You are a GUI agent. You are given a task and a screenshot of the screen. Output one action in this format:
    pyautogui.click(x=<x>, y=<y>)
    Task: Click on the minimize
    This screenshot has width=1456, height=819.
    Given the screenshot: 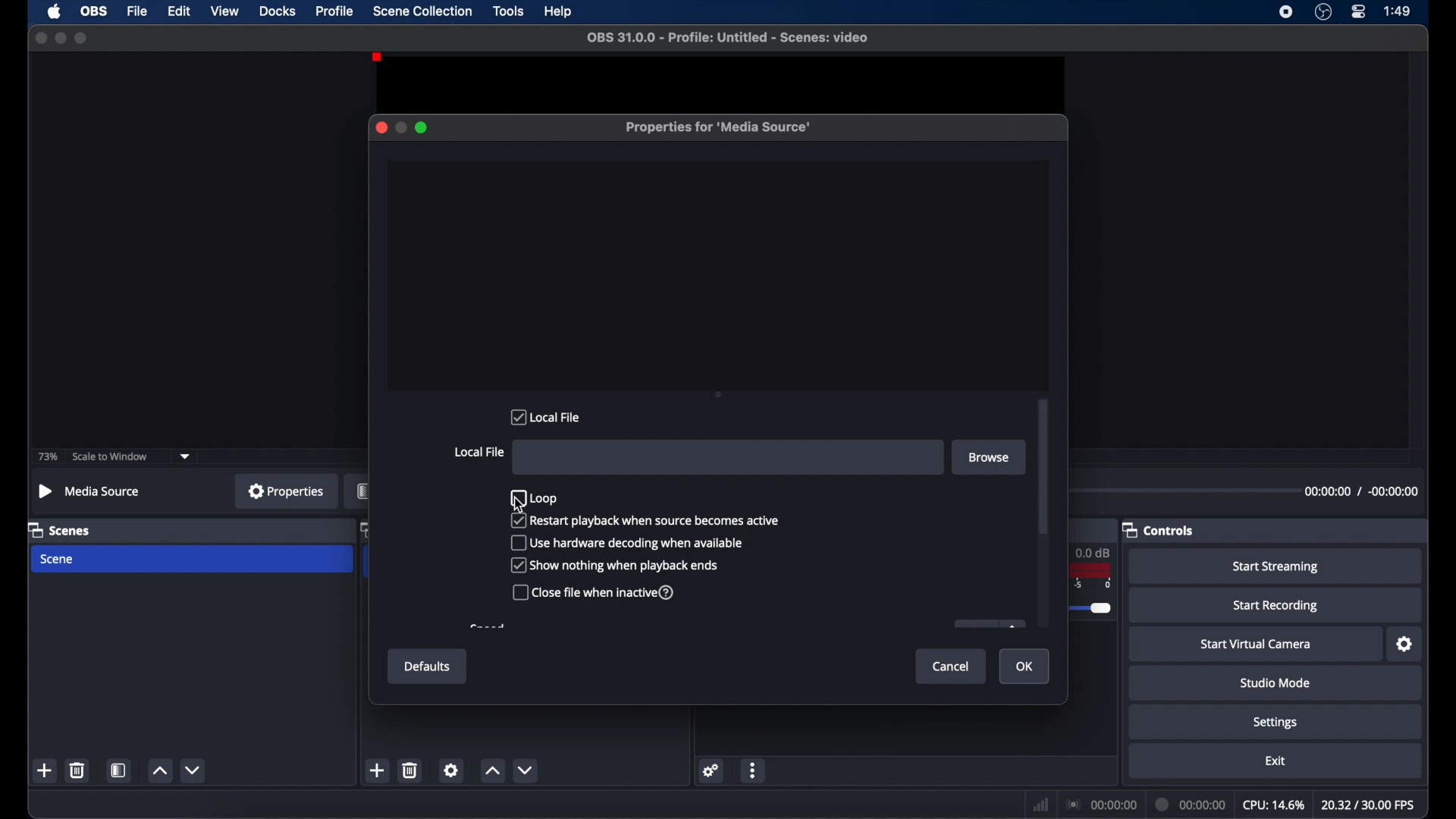 What is the action you would take?
    pyautogui.click(x=61, y=38)
    